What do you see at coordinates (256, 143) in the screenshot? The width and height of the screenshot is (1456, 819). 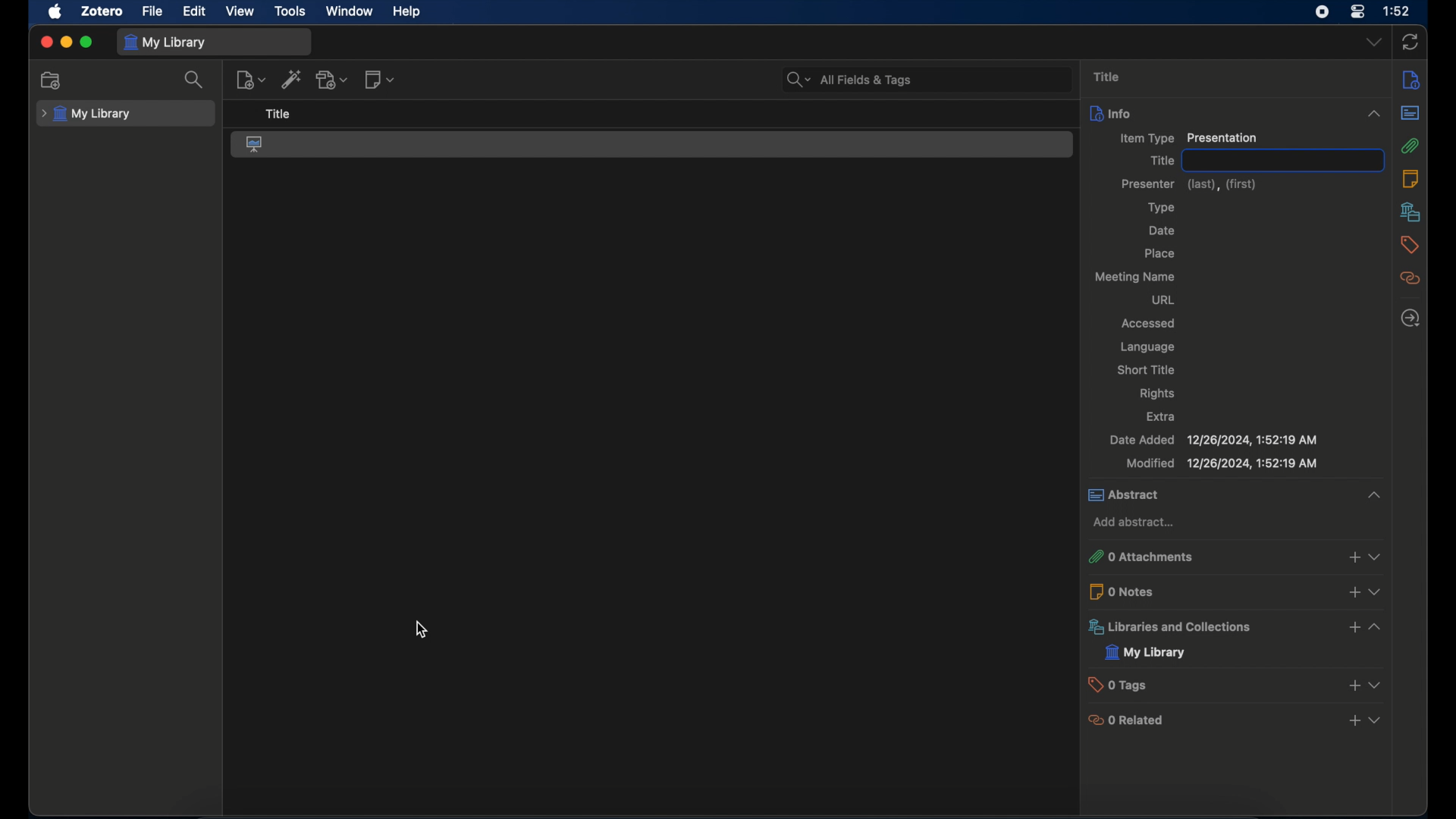 I see `presentation` at bounding box center [256, 143].